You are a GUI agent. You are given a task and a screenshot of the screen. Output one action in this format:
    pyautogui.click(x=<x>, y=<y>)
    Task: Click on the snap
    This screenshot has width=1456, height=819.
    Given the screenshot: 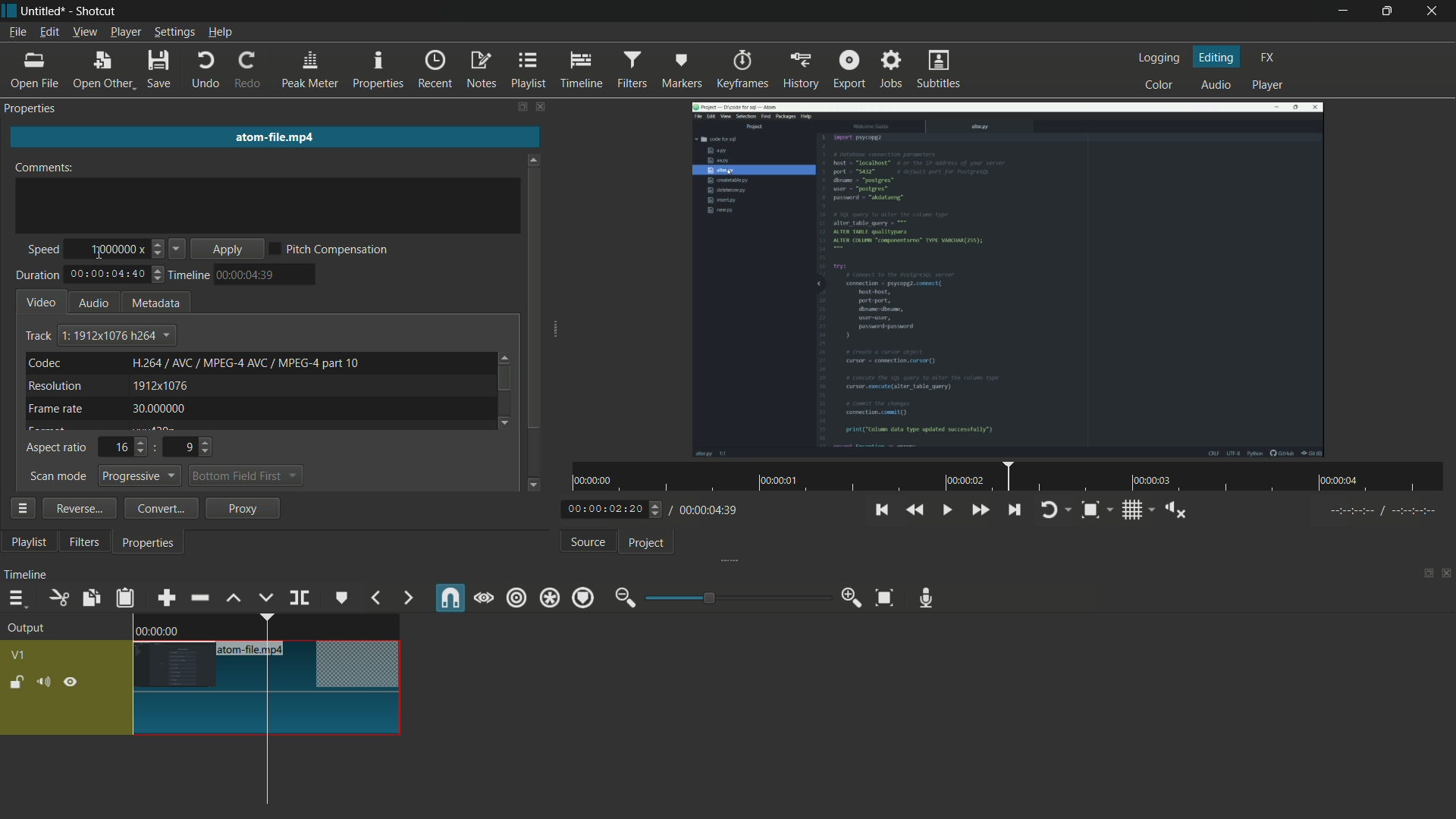 What is the action you would take?
    pyautogui.click(x=449, y=598)
    